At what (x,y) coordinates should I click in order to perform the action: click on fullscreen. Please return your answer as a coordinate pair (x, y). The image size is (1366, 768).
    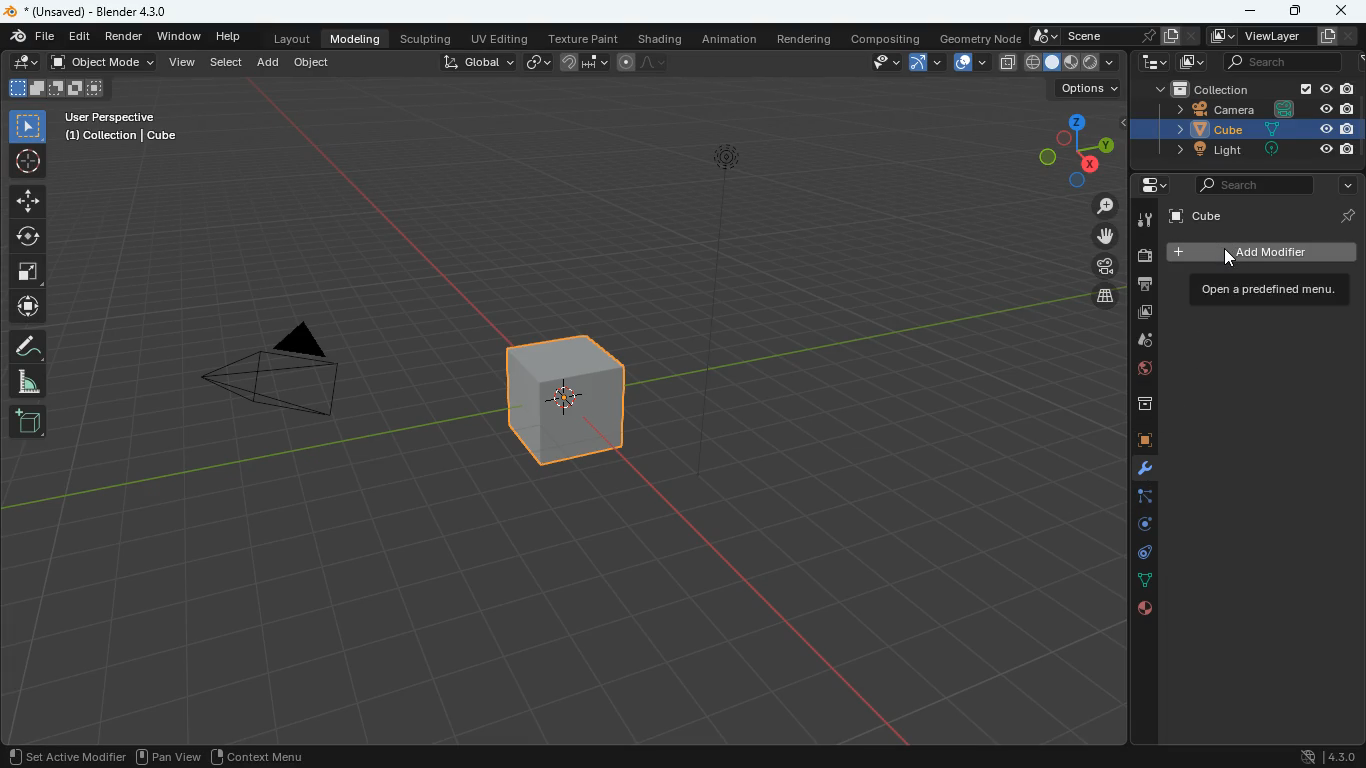
    Looking at the image, I should click on (63, 88).